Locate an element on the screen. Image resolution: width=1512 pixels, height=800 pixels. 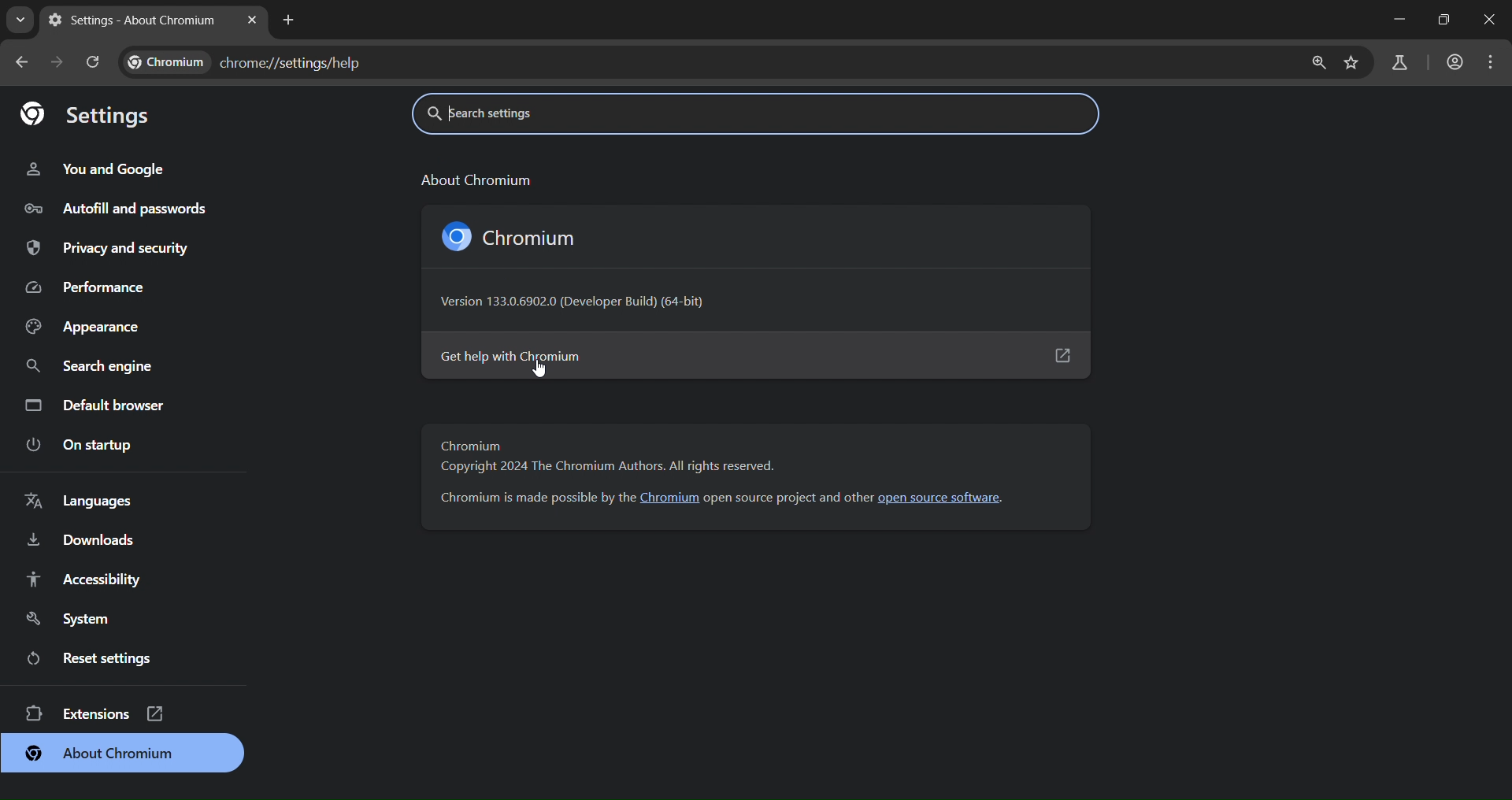
cursor is located at coordinates (543, 368).